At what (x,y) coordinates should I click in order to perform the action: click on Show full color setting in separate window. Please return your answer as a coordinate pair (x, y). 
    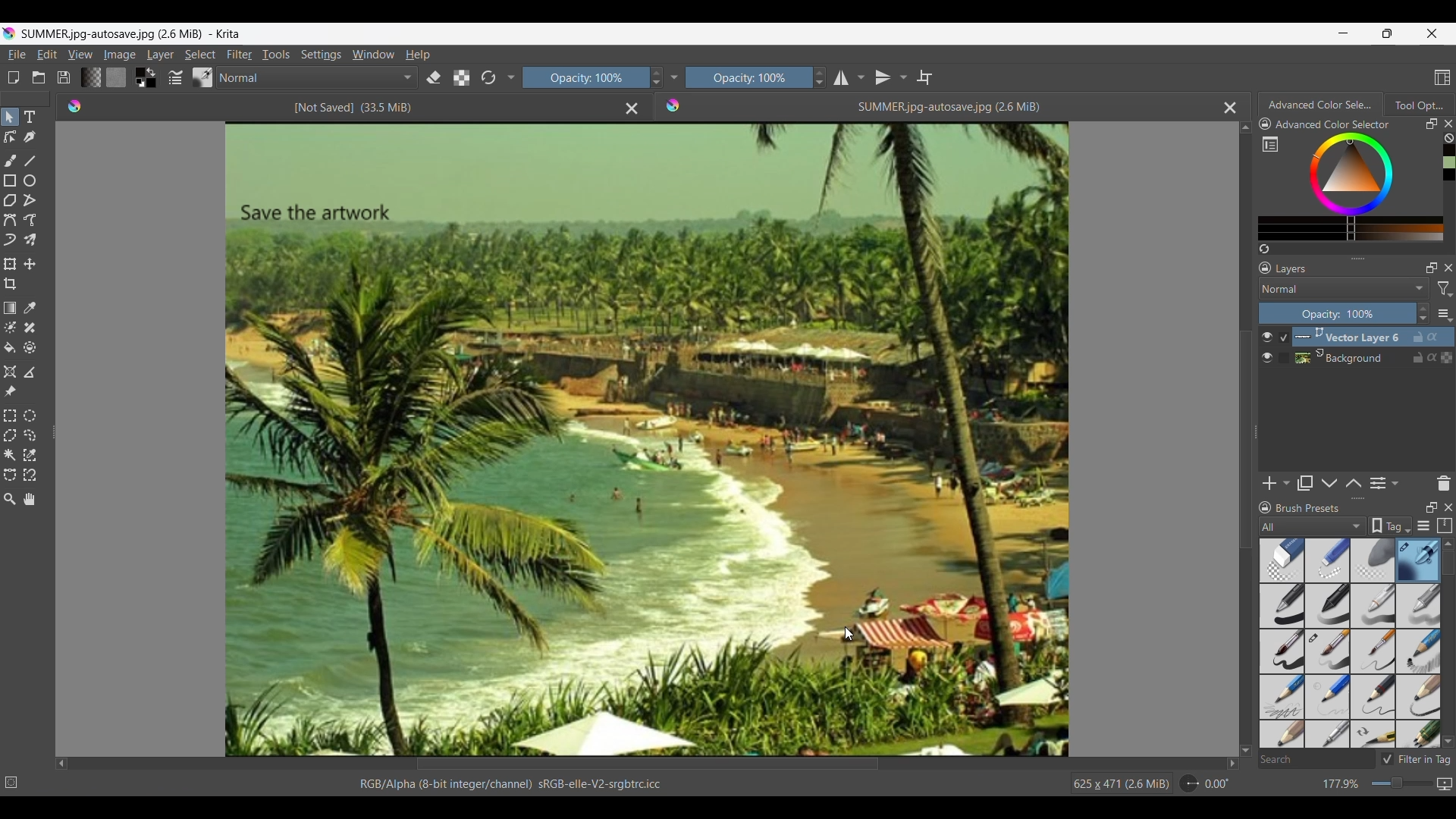
    Looking at the image, I should click on (1270, 144).